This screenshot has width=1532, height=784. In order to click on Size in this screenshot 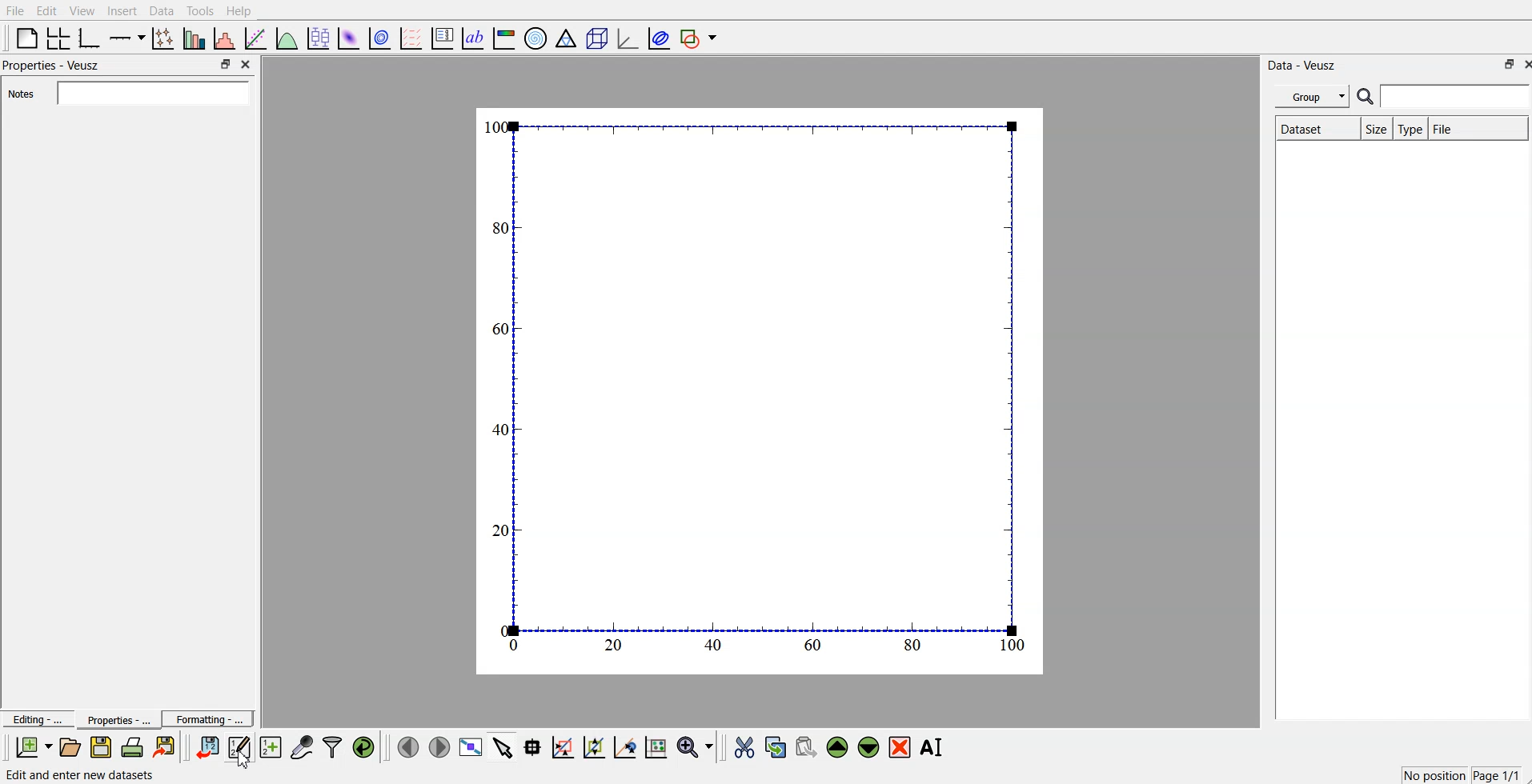, I will do `click(1373, 129)`.